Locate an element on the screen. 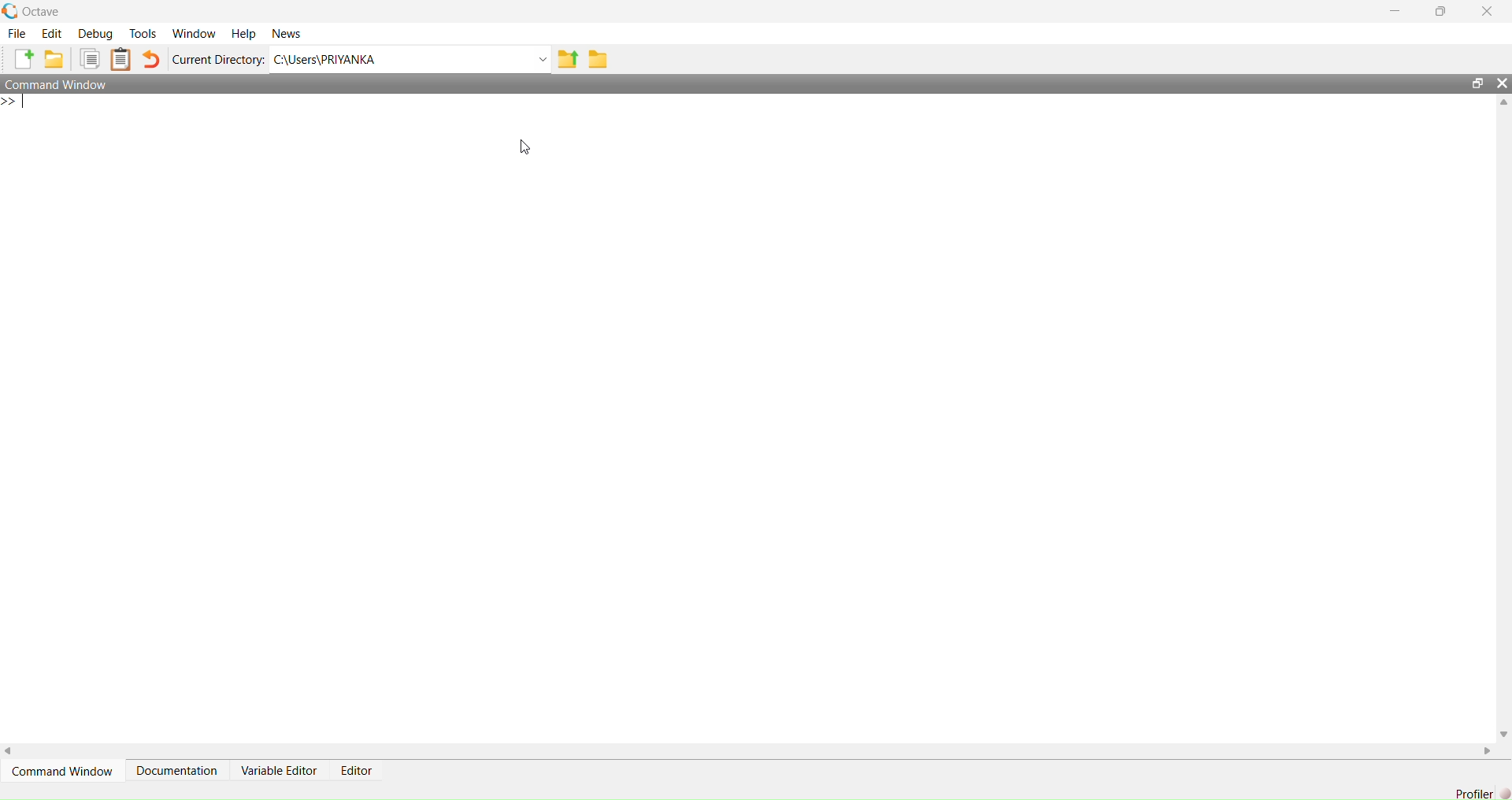  one directory up is located at coordinates (567, 57).